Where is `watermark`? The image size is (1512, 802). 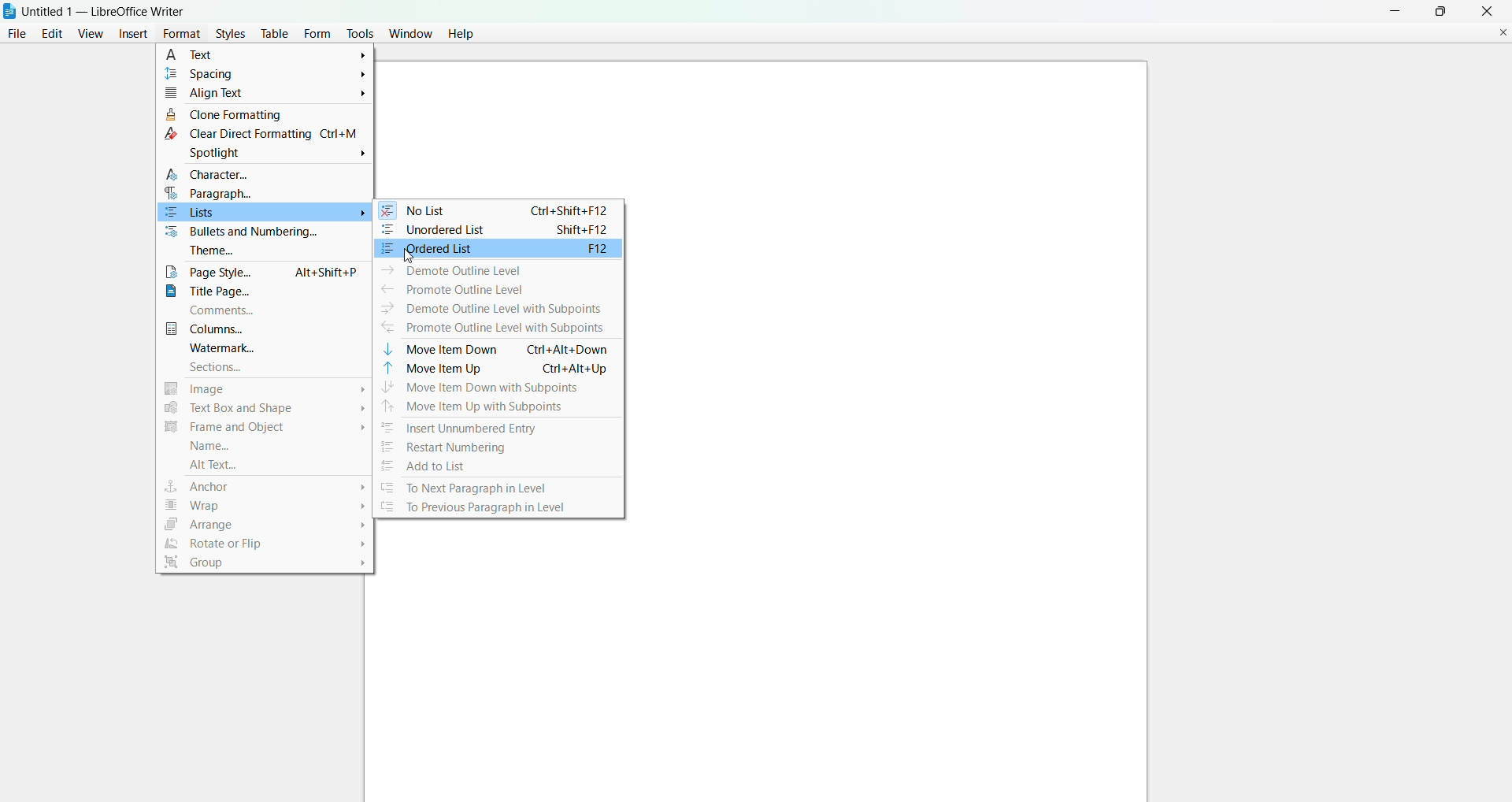 watermark is located at coordinates (217, 351).